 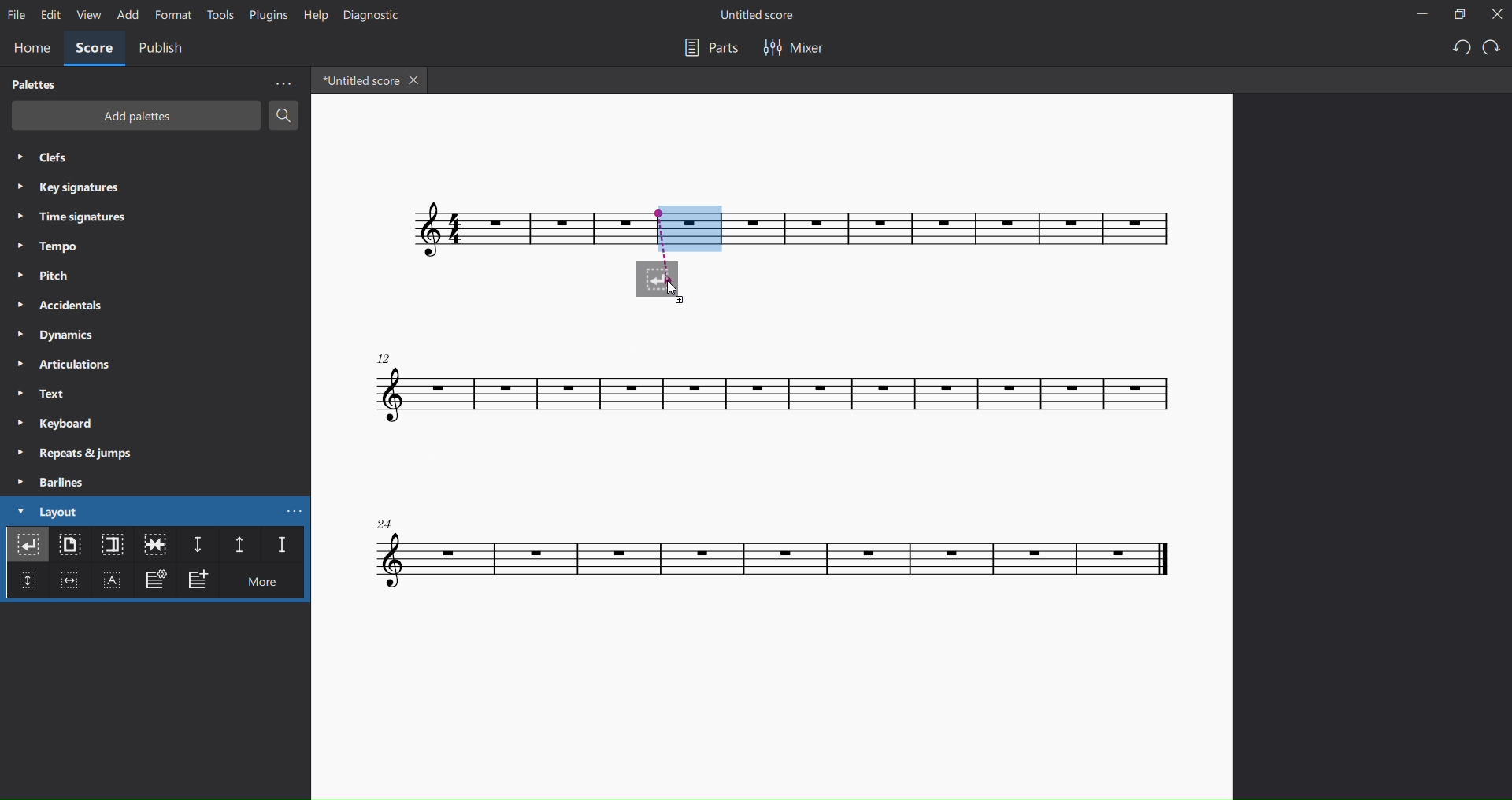 I want to click on text, so click(x=40, y=394).